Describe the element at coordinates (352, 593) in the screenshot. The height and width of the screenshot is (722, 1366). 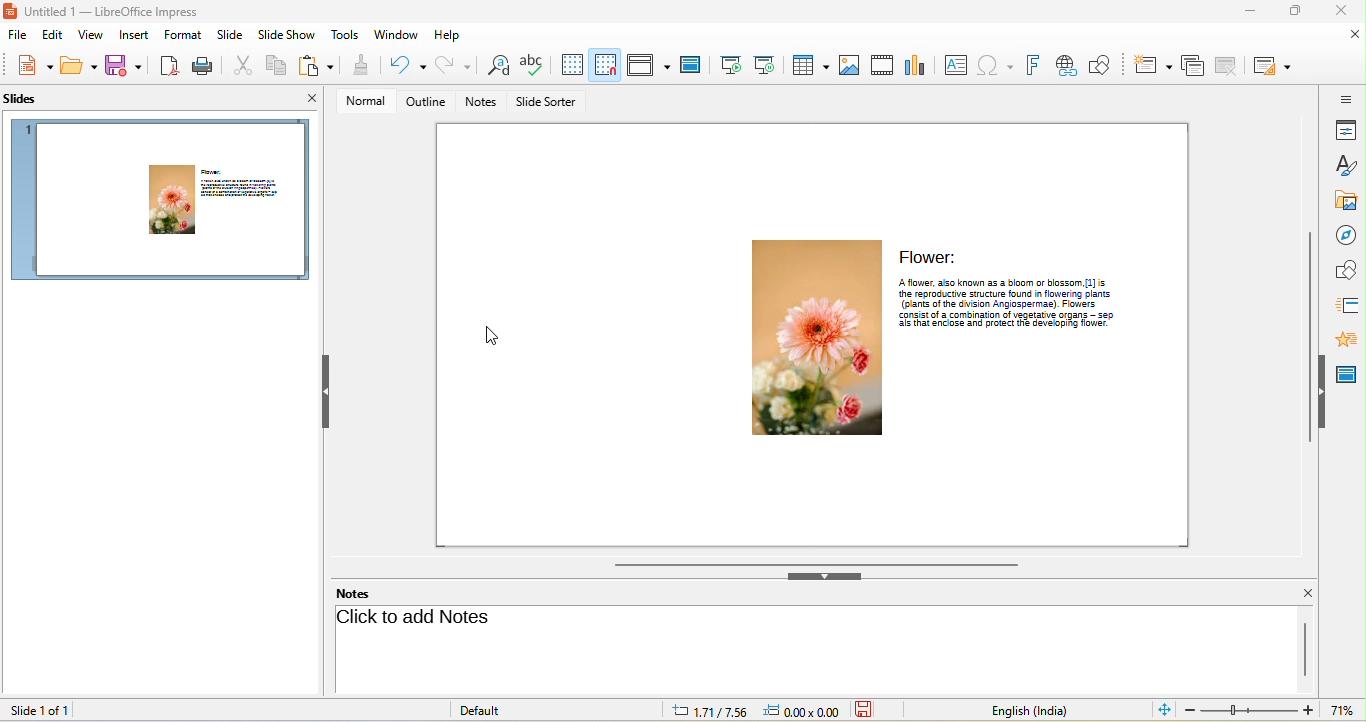
I see `notes` at that location.